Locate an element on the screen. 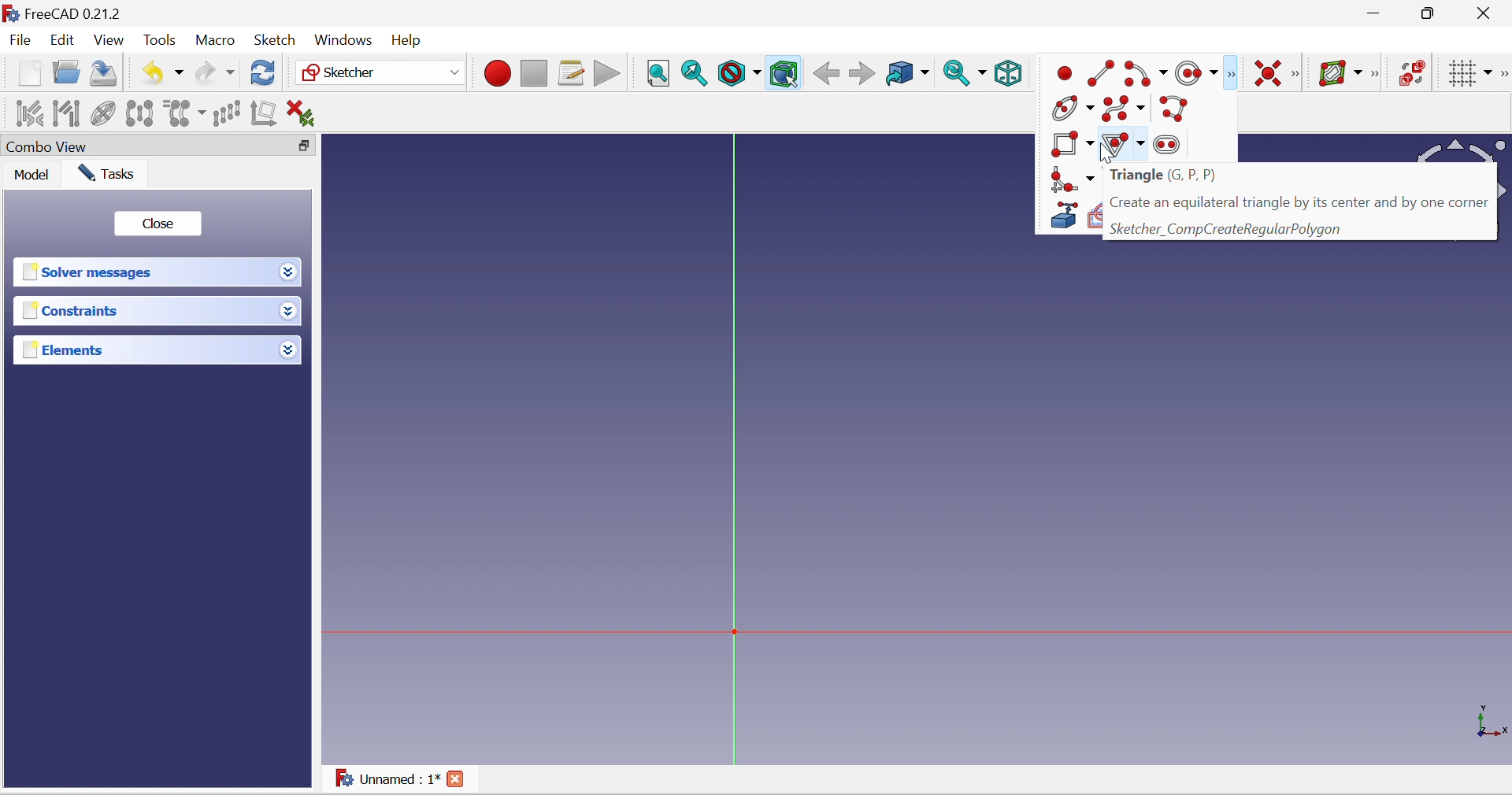 This screenshot has width=1512, height=795. Select associated constraints is located at coordinates (29, 113).